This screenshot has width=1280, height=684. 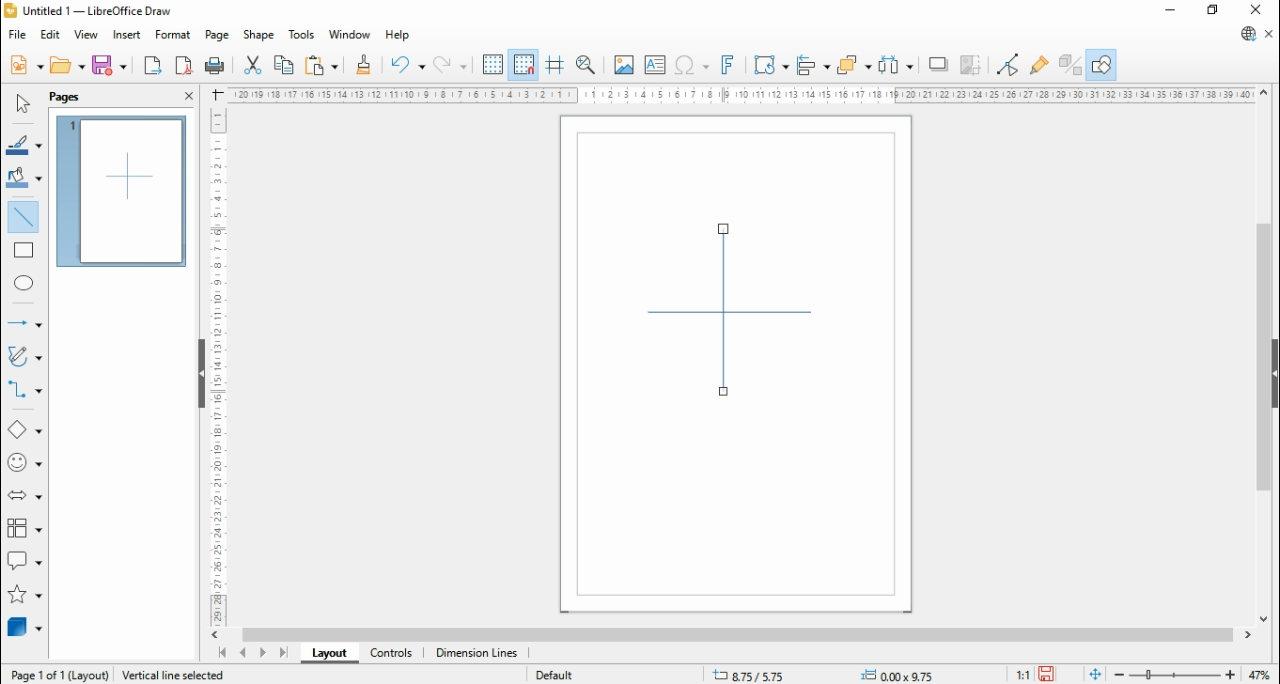 What do you see at coordinates (737, 635) in the screenshot?
I see `scroll bar` at bounding box center [737, 635].